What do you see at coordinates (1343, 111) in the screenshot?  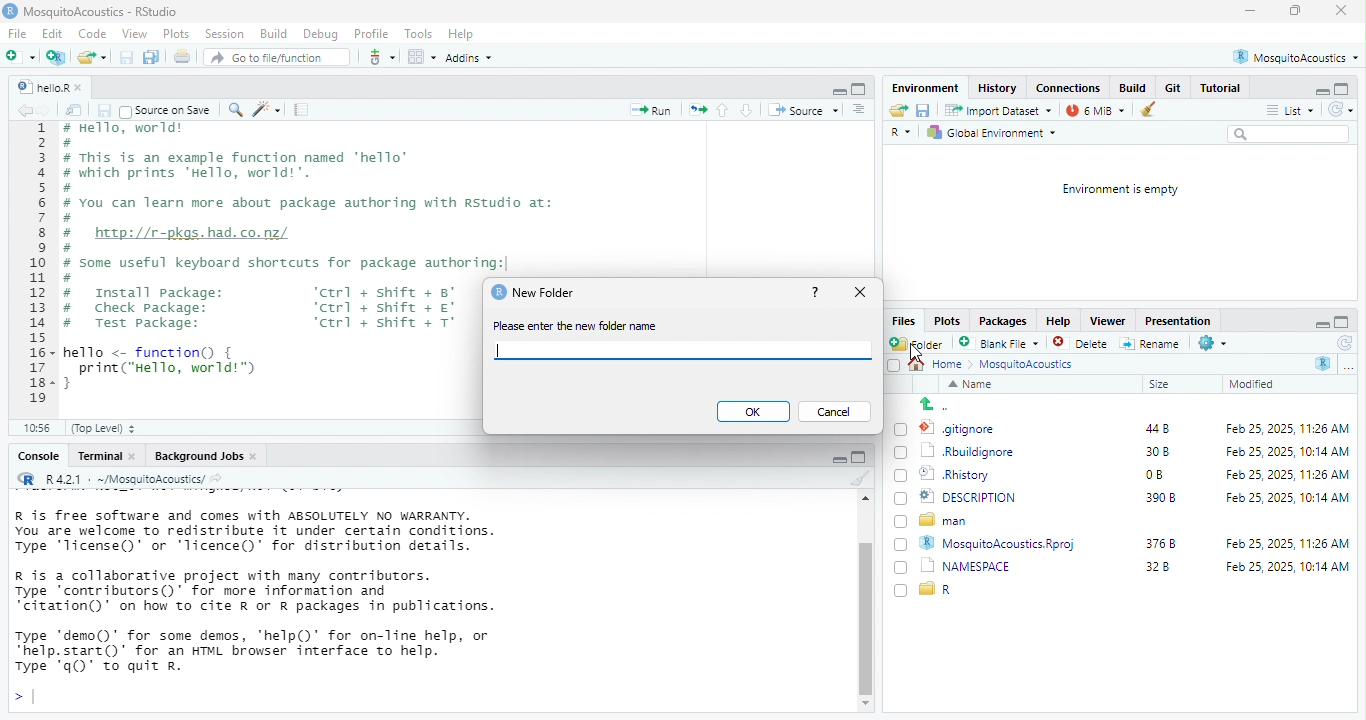 I see `refresh` at bounding box center [1343, 111].